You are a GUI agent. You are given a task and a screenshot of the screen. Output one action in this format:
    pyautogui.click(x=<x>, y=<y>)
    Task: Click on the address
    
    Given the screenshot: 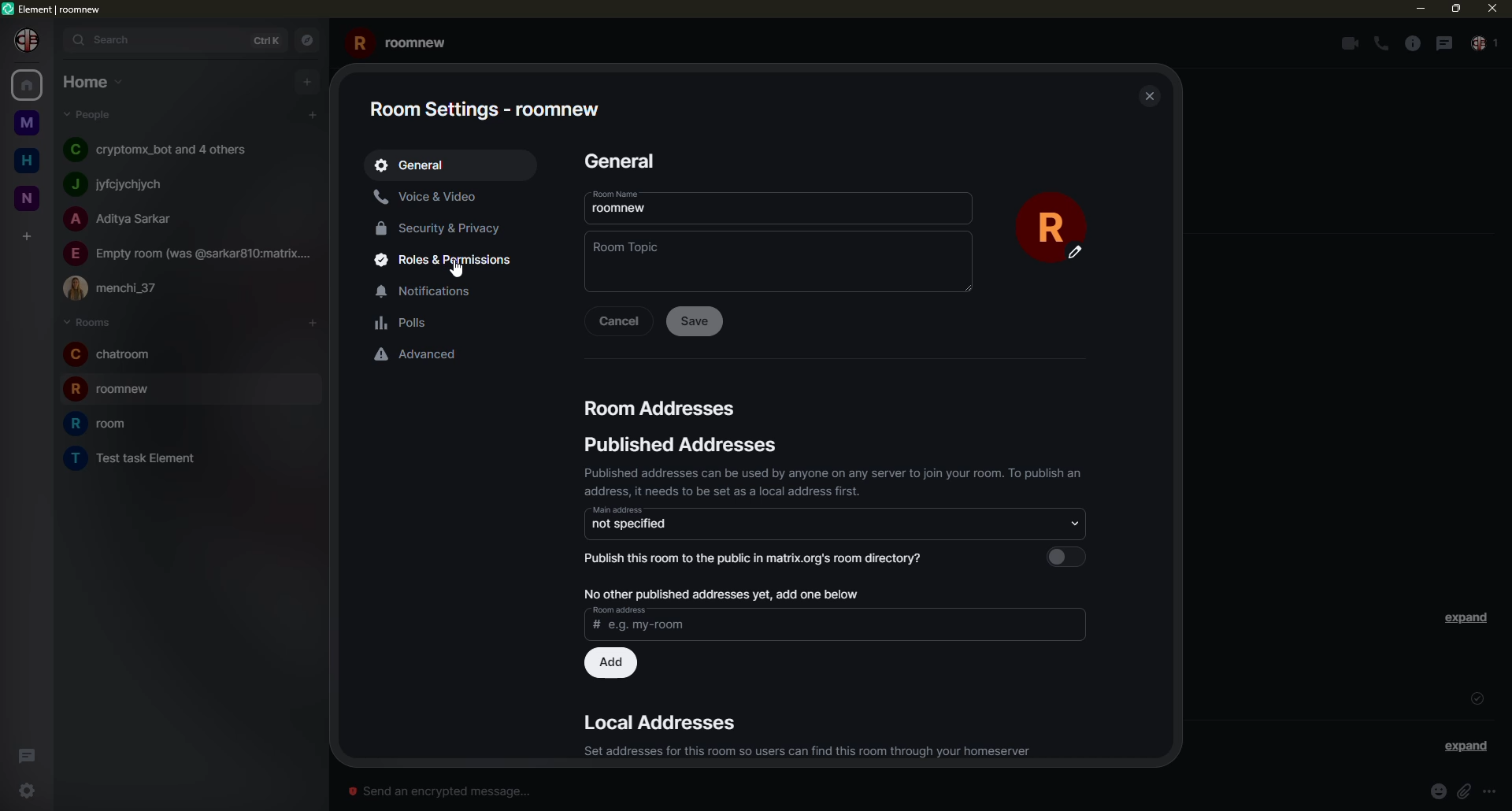 What is the action you would take?
    pyautogui.click(x=651, y=621)
    